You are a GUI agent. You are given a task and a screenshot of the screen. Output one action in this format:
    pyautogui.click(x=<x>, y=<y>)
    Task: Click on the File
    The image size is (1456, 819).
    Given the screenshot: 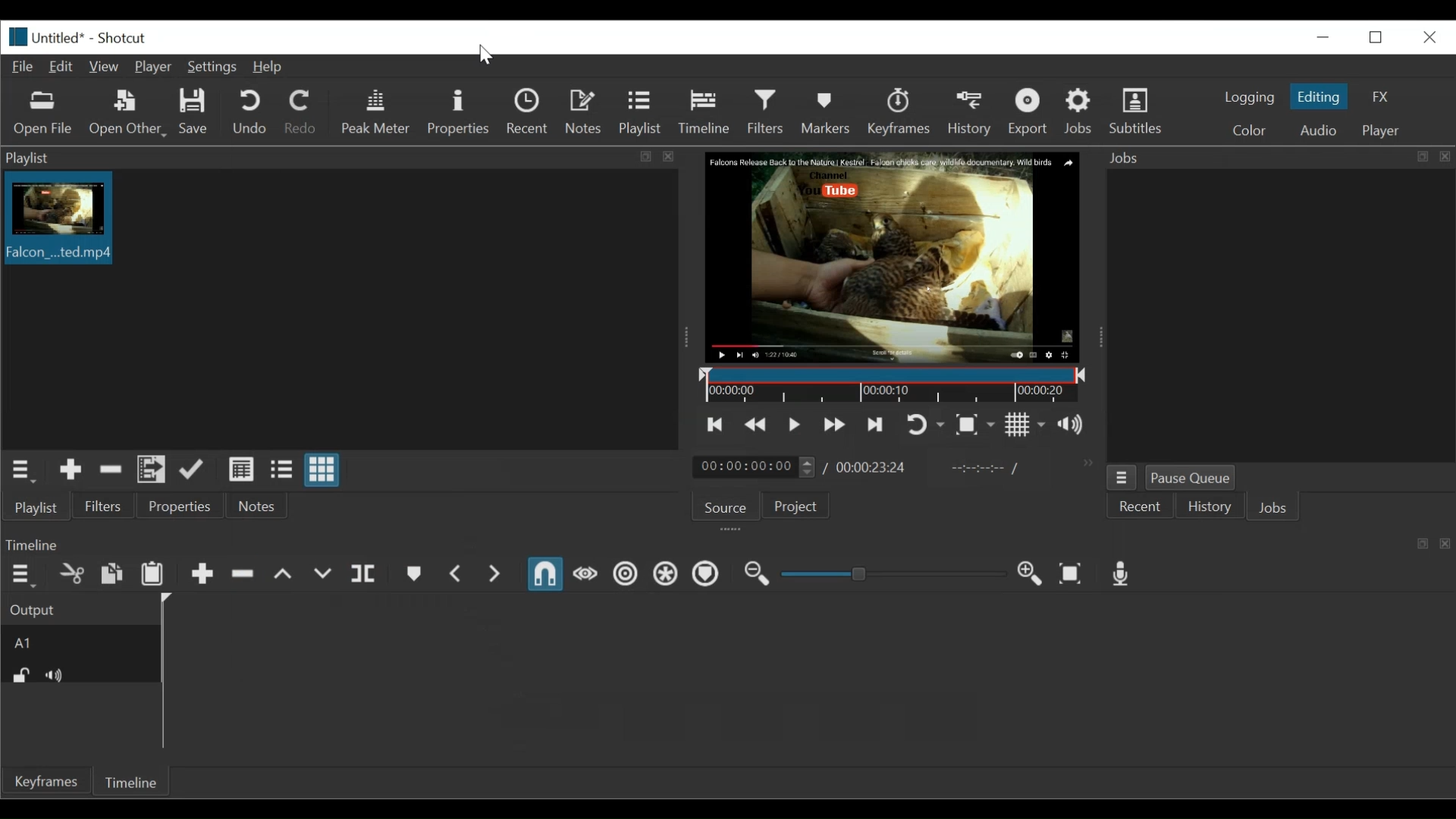 What is the action you would take?
    pyautogui.click(x=24, y=69)
    